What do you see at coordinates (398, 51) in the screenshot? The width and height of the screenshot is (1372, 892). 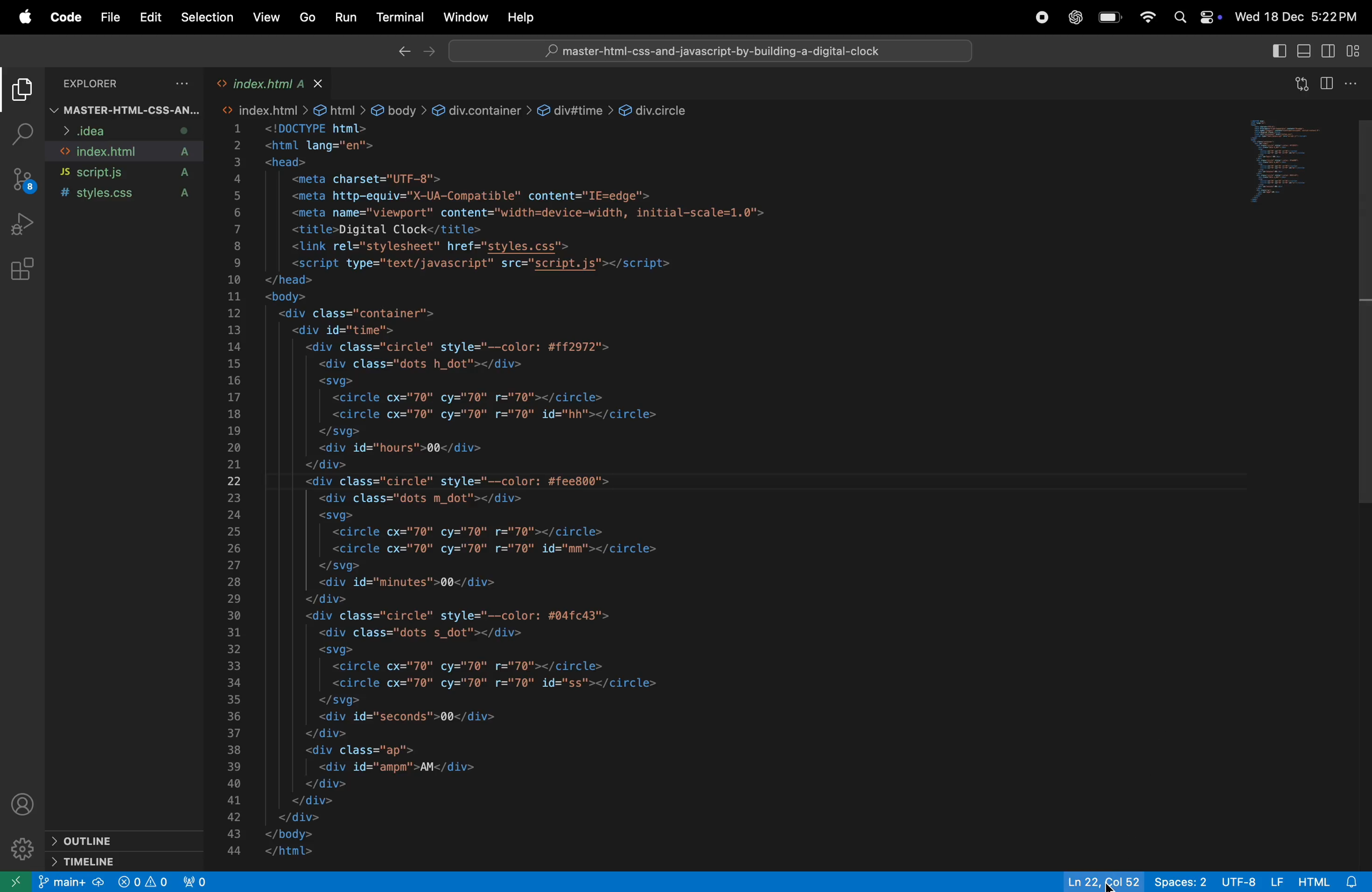 I see `back ward` at bounding box center [398, 51].